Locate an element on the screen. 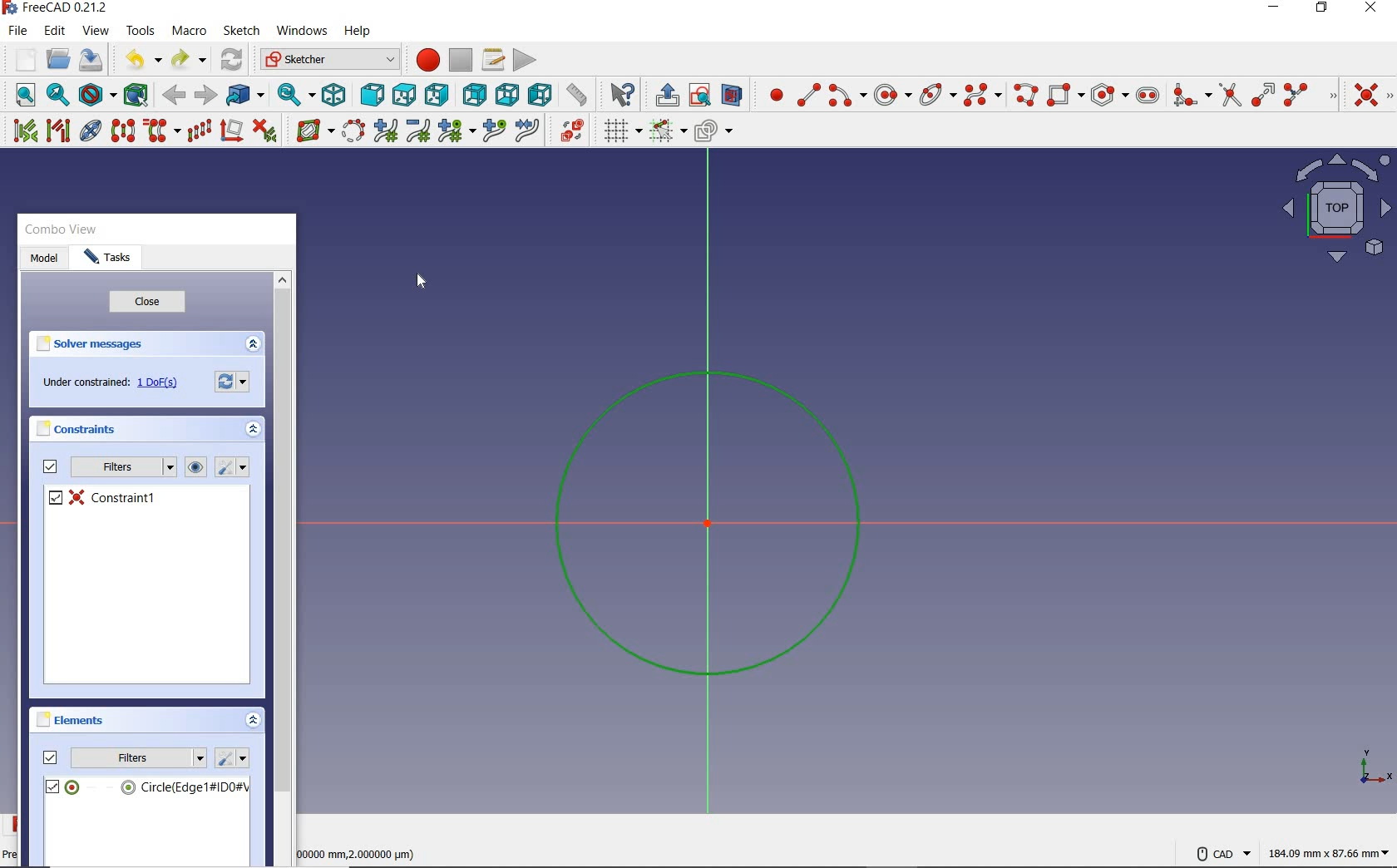  sketch zoomed in is located at coordinates (712, 523).